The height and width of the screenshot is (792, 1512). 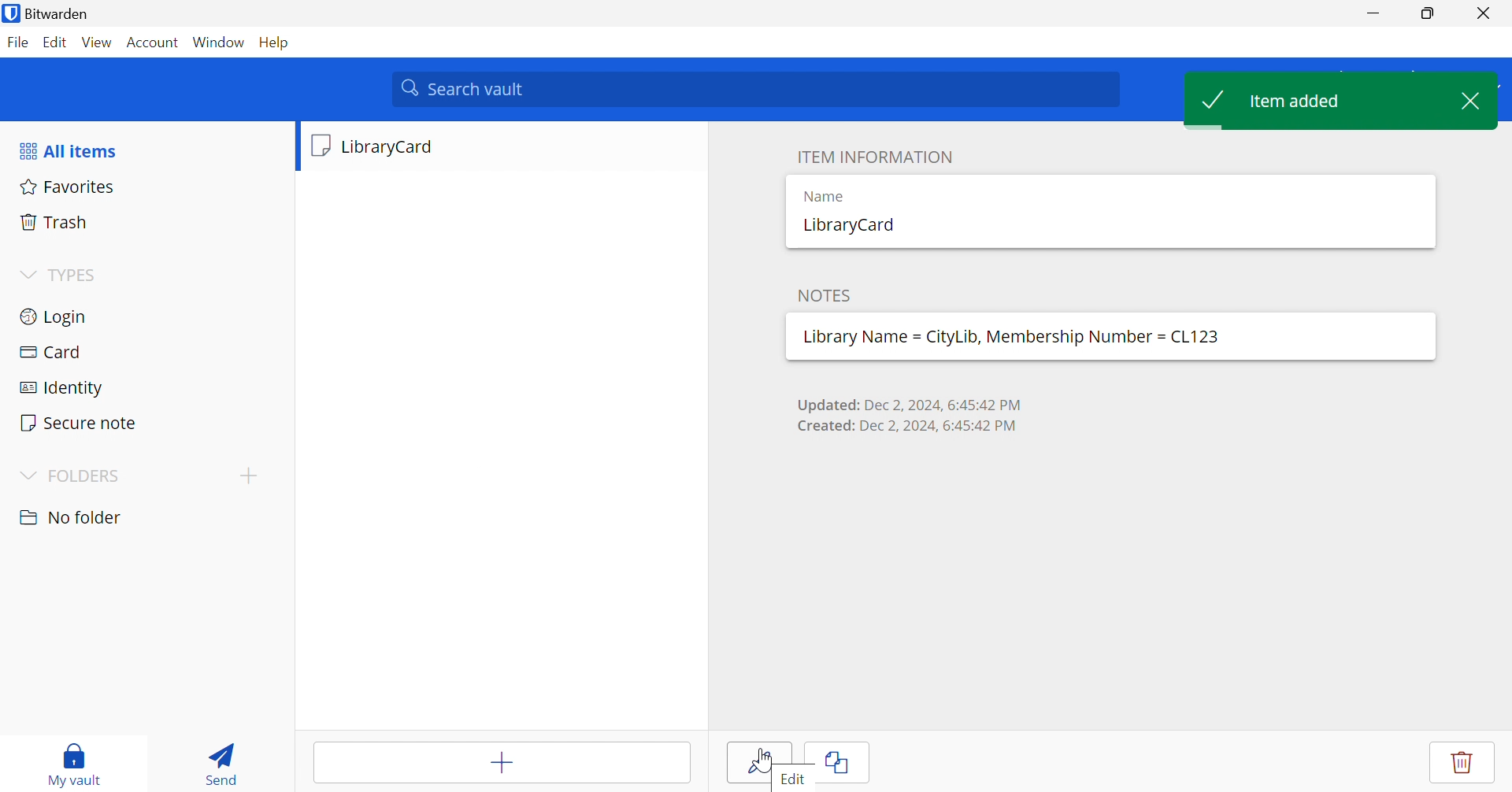 I want to click on iTEM ADDDED, so click(x=1317, y=102).